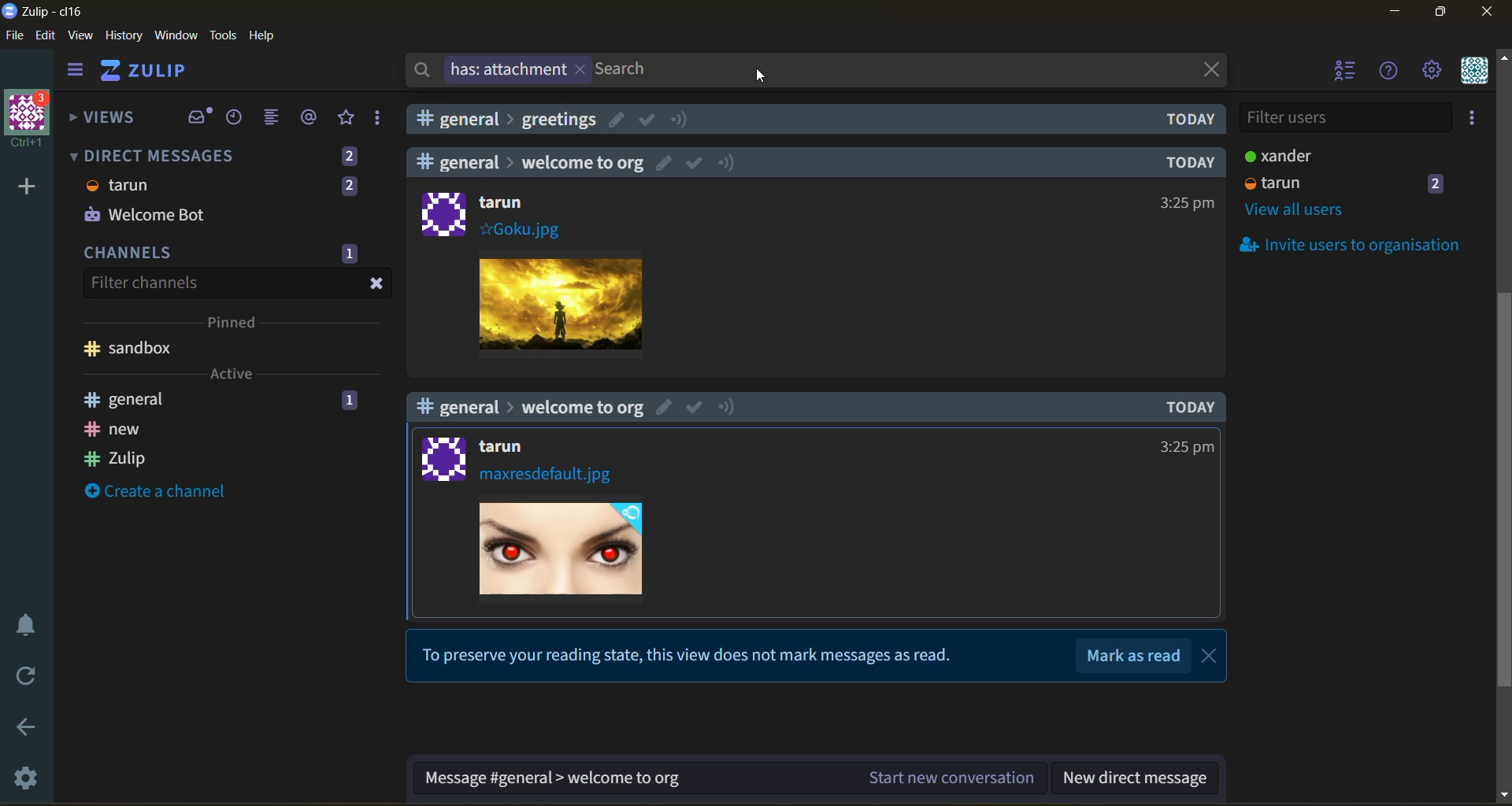 This screenshot has height=806, width=1512. Describe the element at coordinates (230, 373) in the screenshot. I see `Active` at that location.